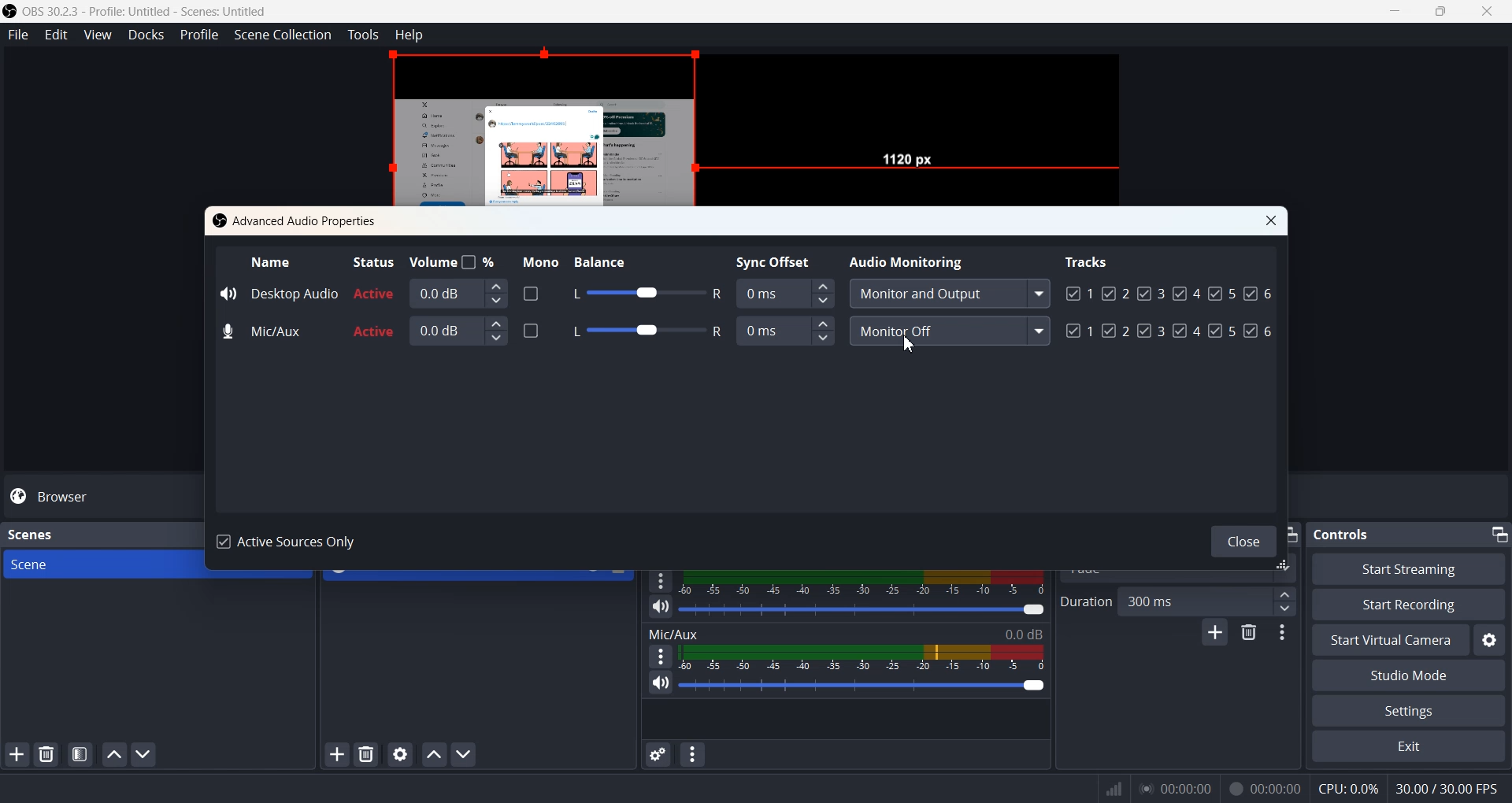 This screenshot has width=1512, height=803. Describe the element at coordinates (145, 755) in the screenshot. I see `Move scene Down` at that location.